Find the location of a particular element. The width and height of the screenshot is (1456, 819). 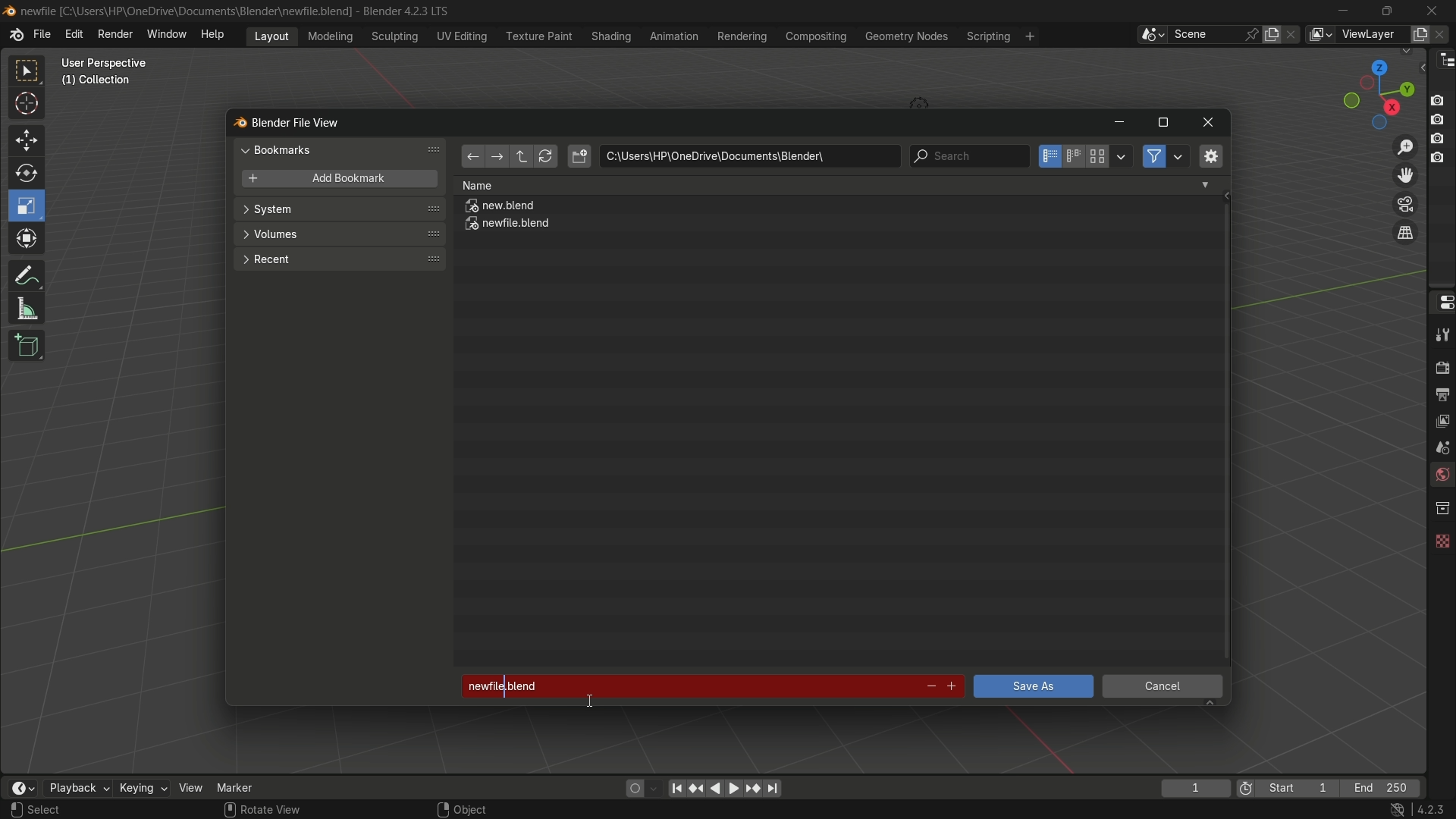

scale is located at coordinates (29, 206).